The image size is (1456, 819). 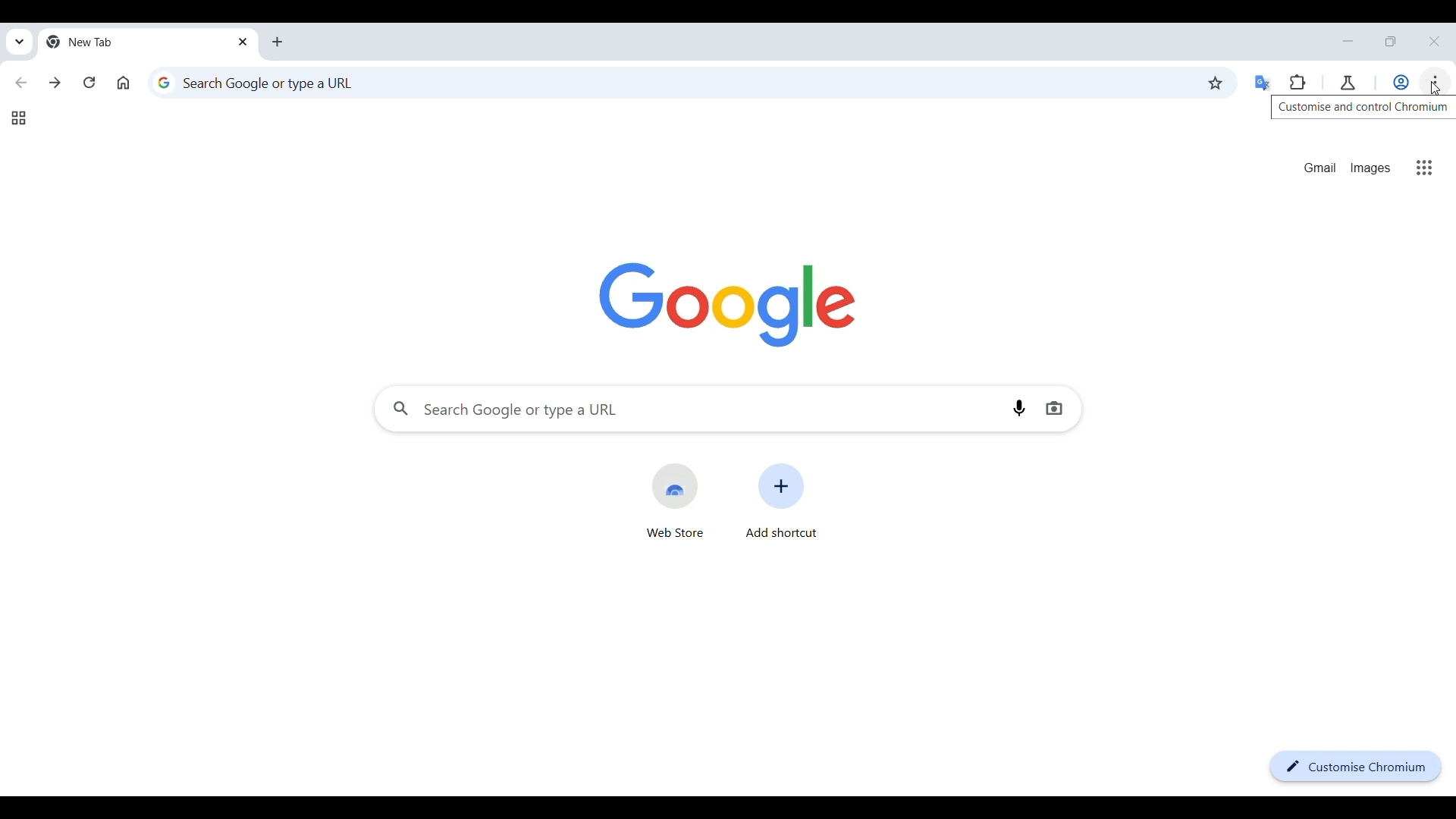 What do you see at coordinates (1319, 167) in the screenshot?
I see `Gmail` at bounding box center [1319, 167].